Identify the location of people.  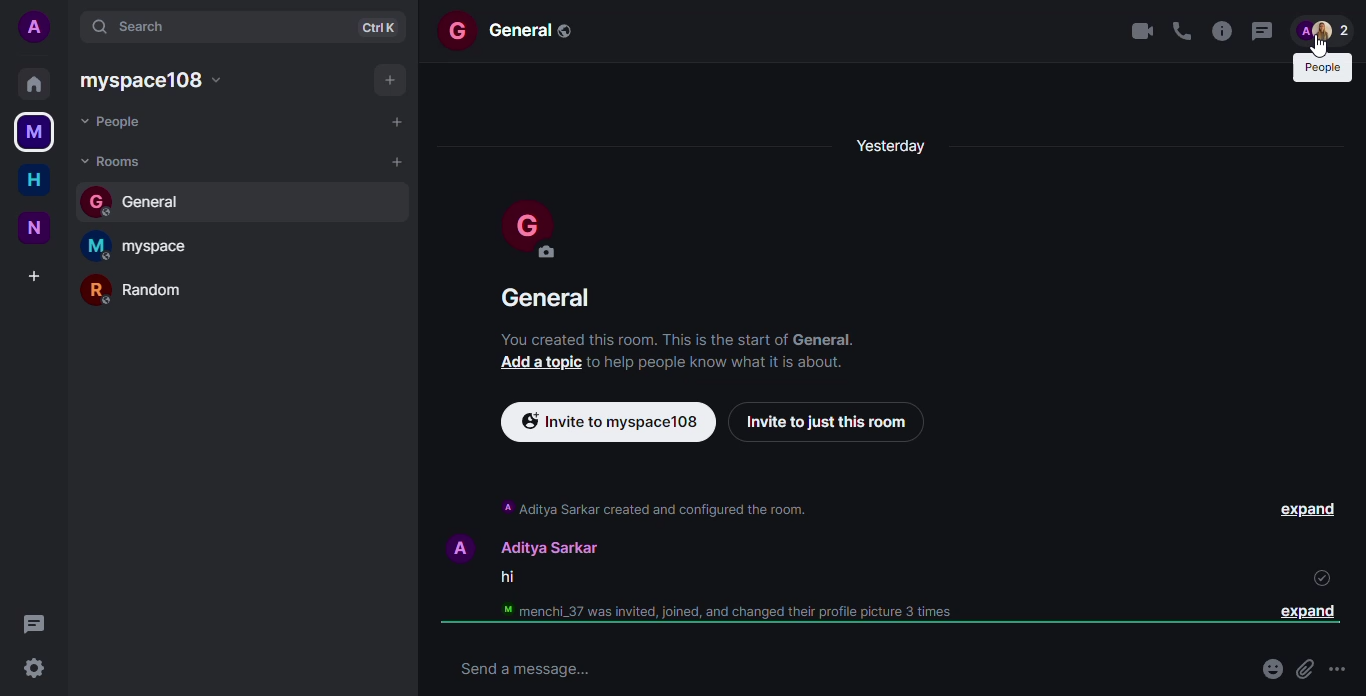
(1326, 31).